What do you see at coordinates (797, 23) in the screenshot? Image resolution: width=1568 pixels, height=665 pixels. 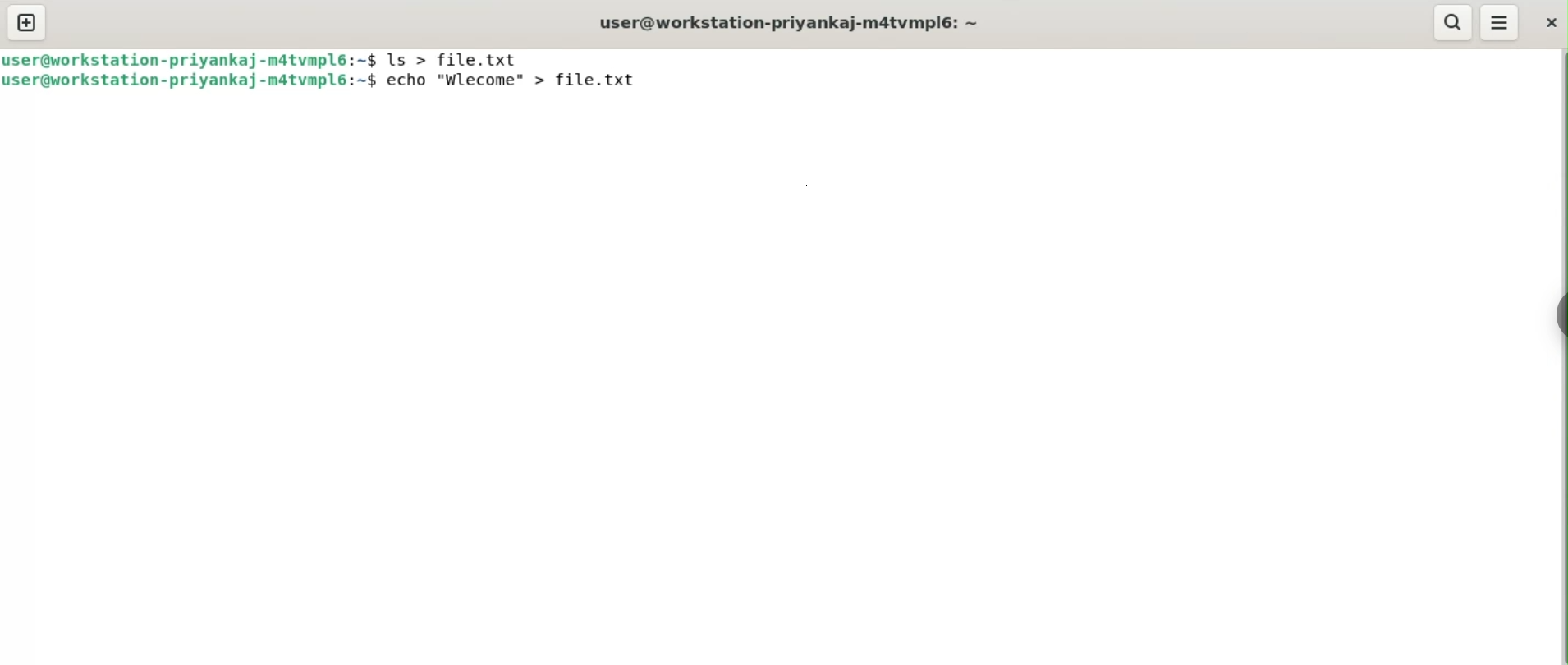 I see `user@workstation-priyankaj-m4tvmpl6: ~` at bounding box center [797, 23].